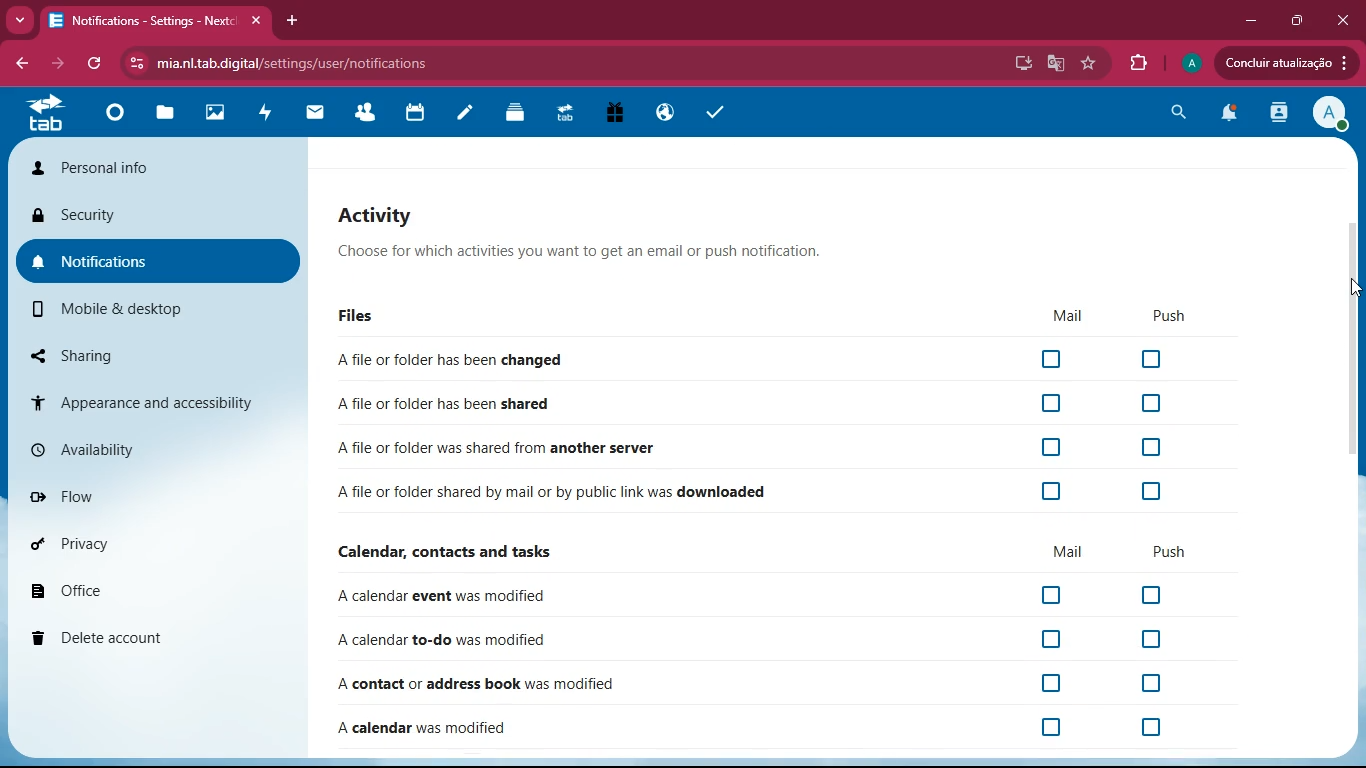  Describe the element at coordinates (1050, 402) in the screenshot. I see `checkbox` at that location.